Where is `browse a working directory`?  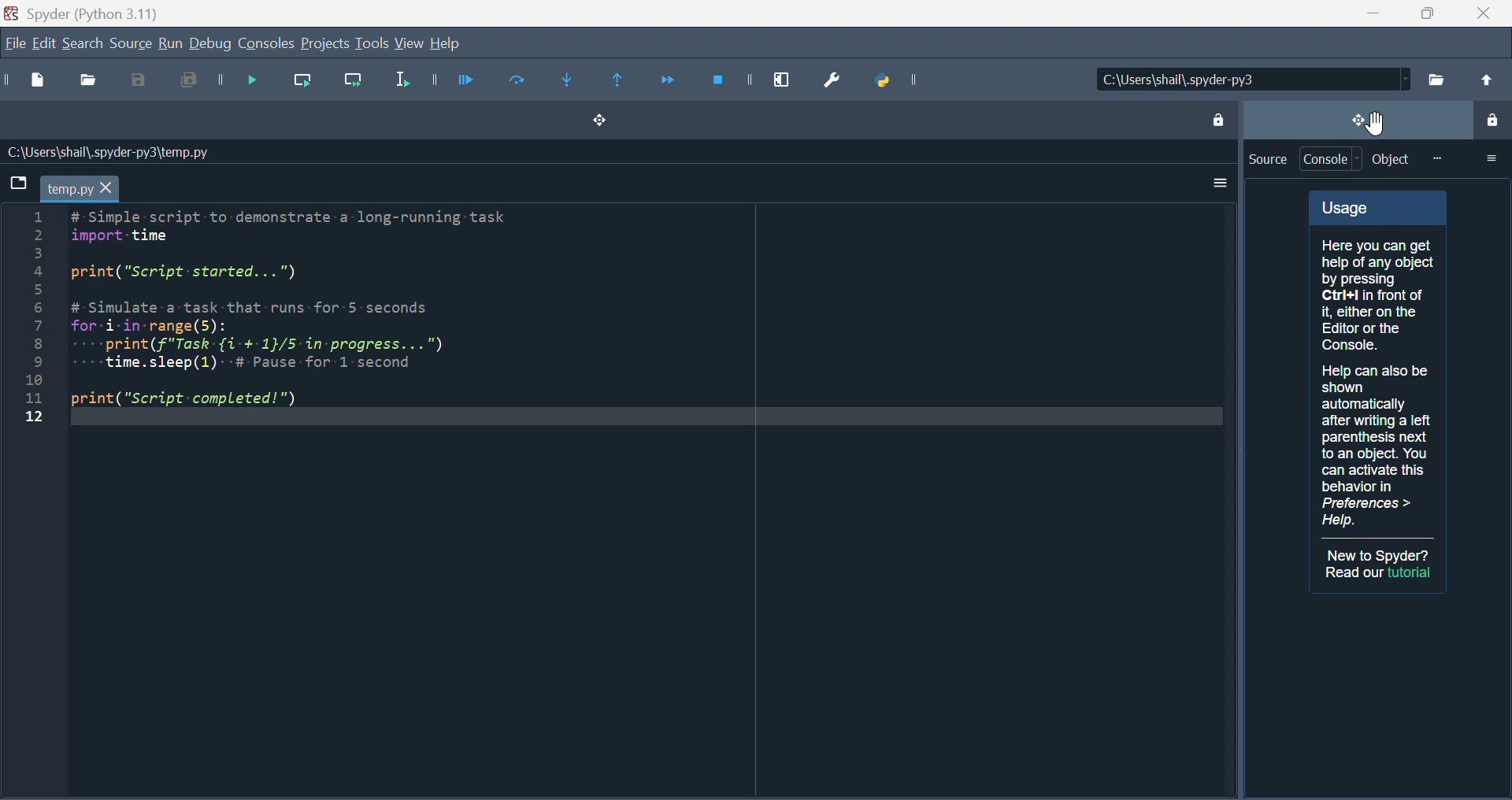
browse a working directory is located at coordinates (1436, 79).